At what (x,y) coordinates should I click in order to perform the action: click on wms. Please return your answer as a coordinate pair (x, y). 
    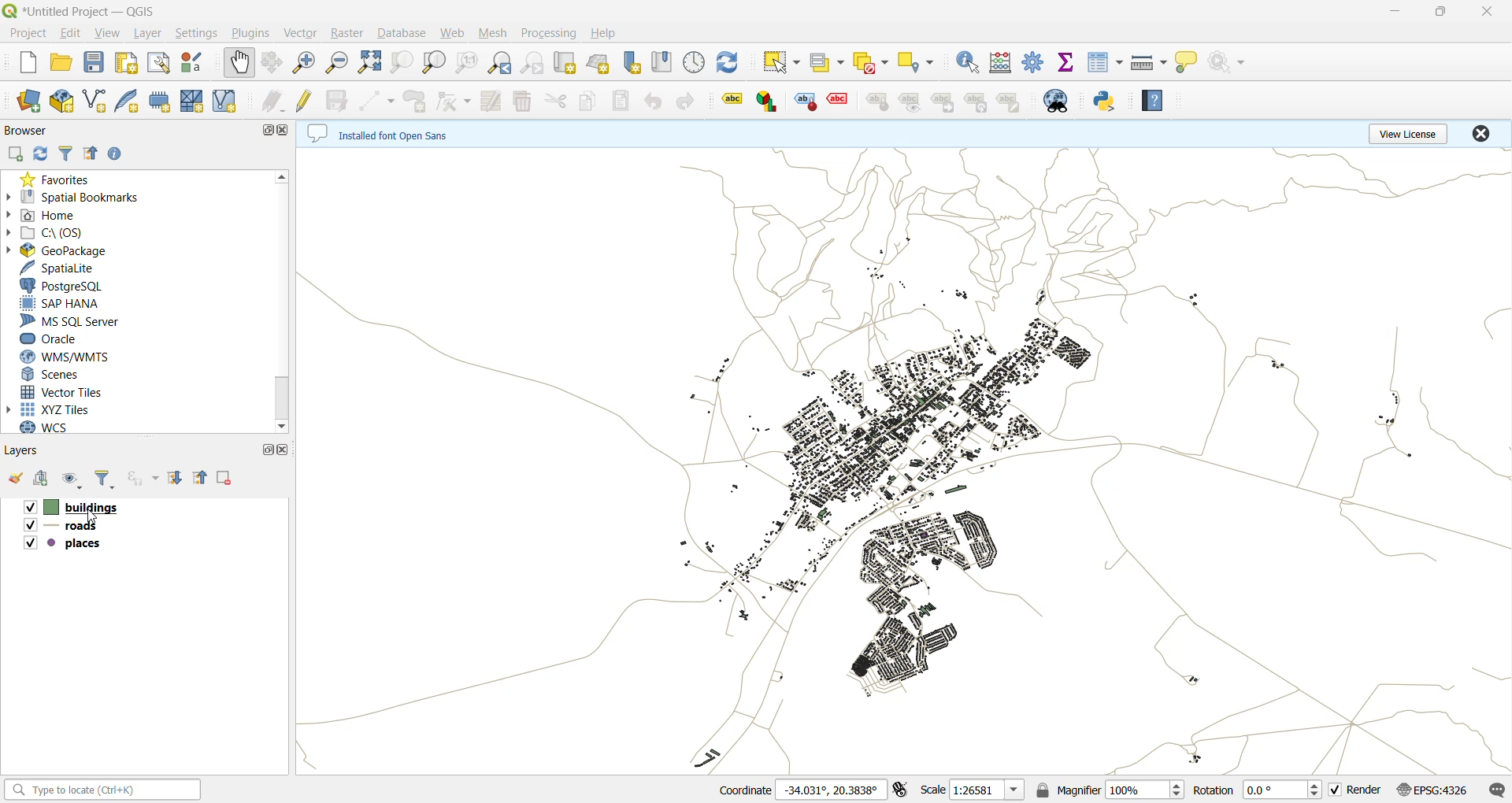
    Looking at the image, I should click on (65, 357).